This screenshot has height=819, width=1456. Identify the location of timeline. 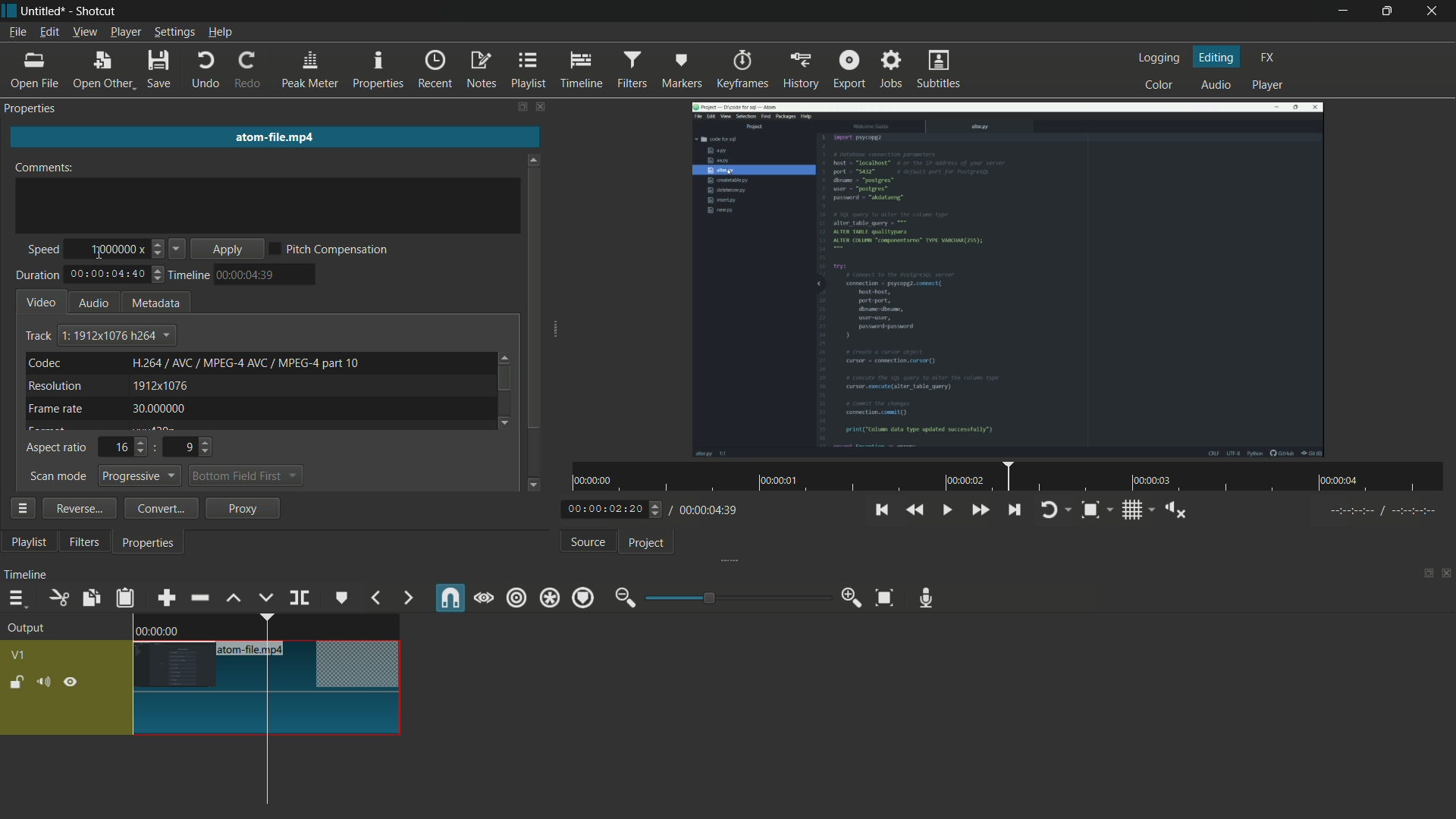
(187, 276).